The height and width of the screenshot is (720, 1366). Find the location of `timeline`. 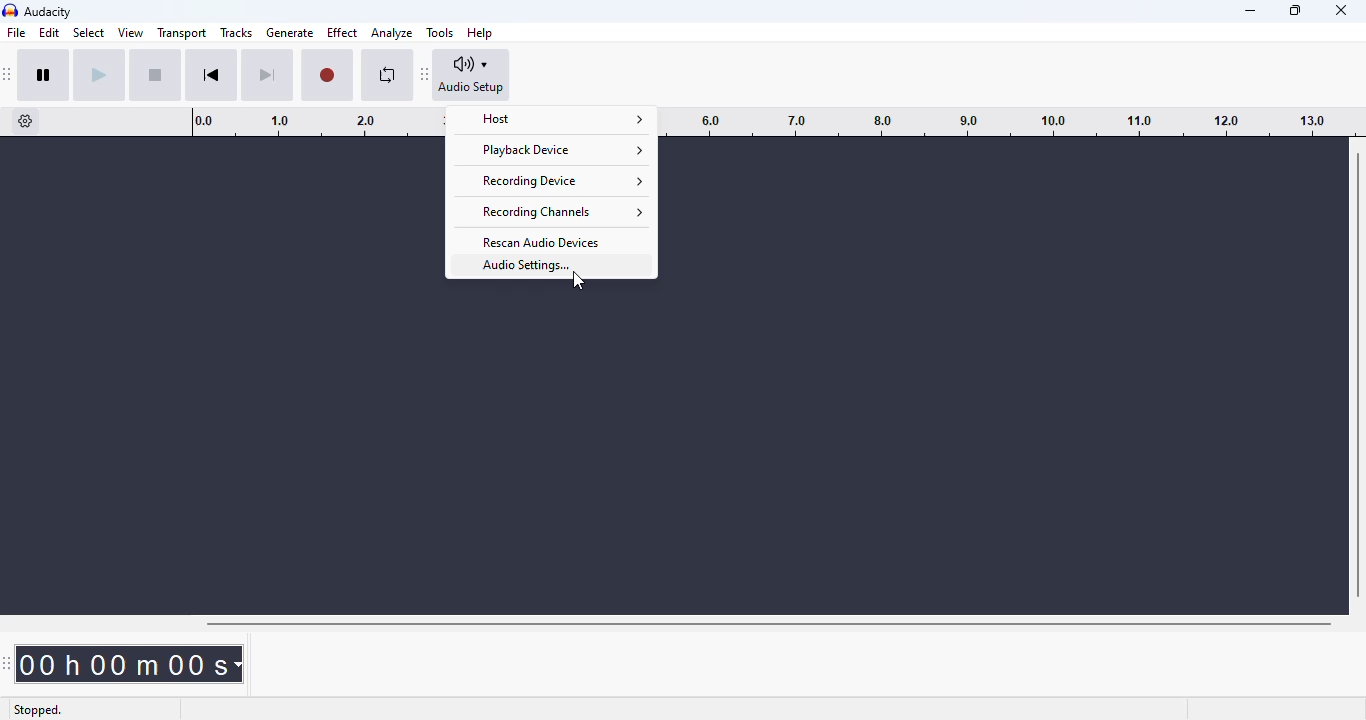

timeline is located at coordinates (1011, 121).